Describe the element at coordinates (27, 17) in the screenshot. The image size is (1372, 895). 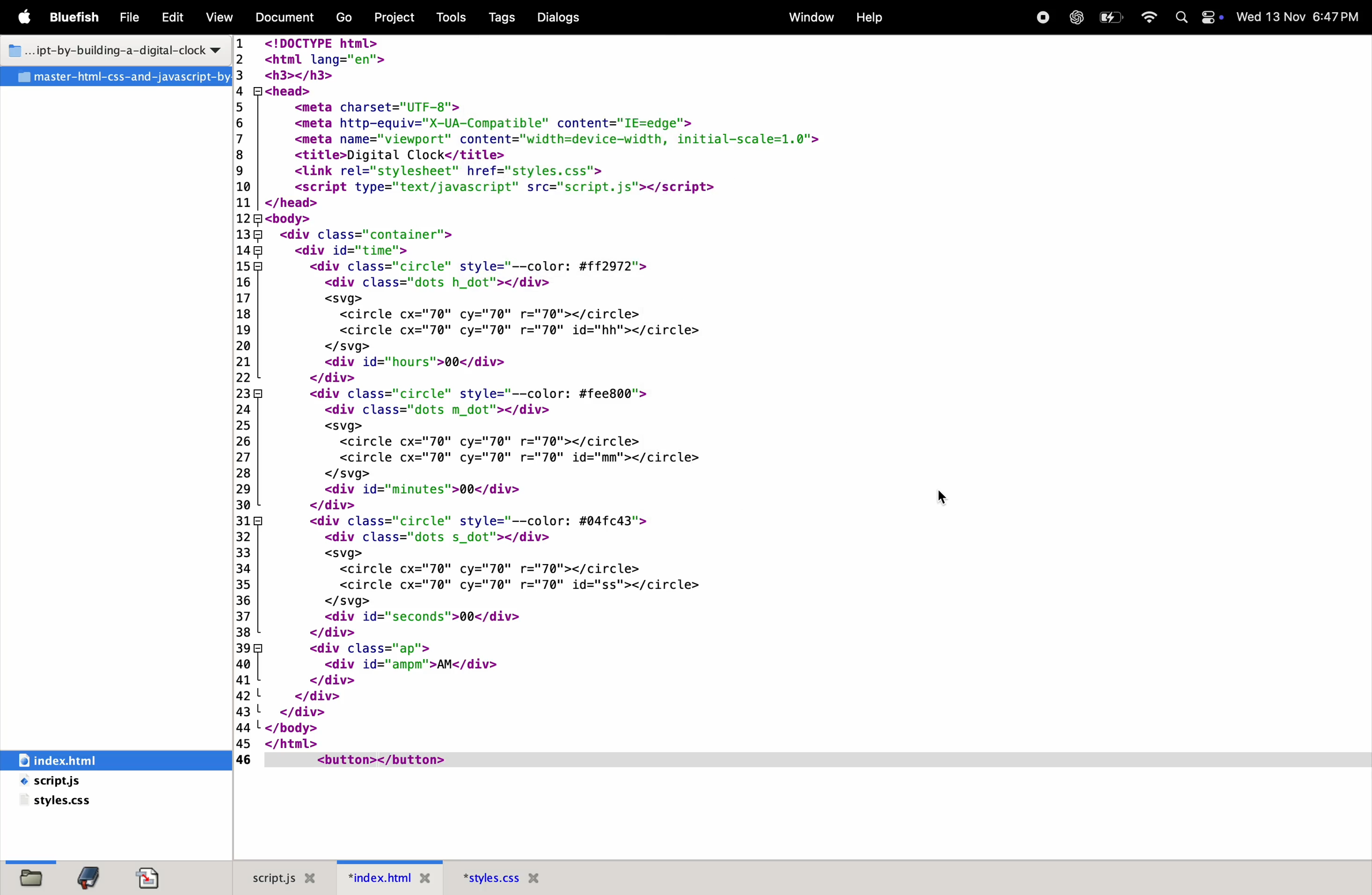
I see `Apple menu` at that location.